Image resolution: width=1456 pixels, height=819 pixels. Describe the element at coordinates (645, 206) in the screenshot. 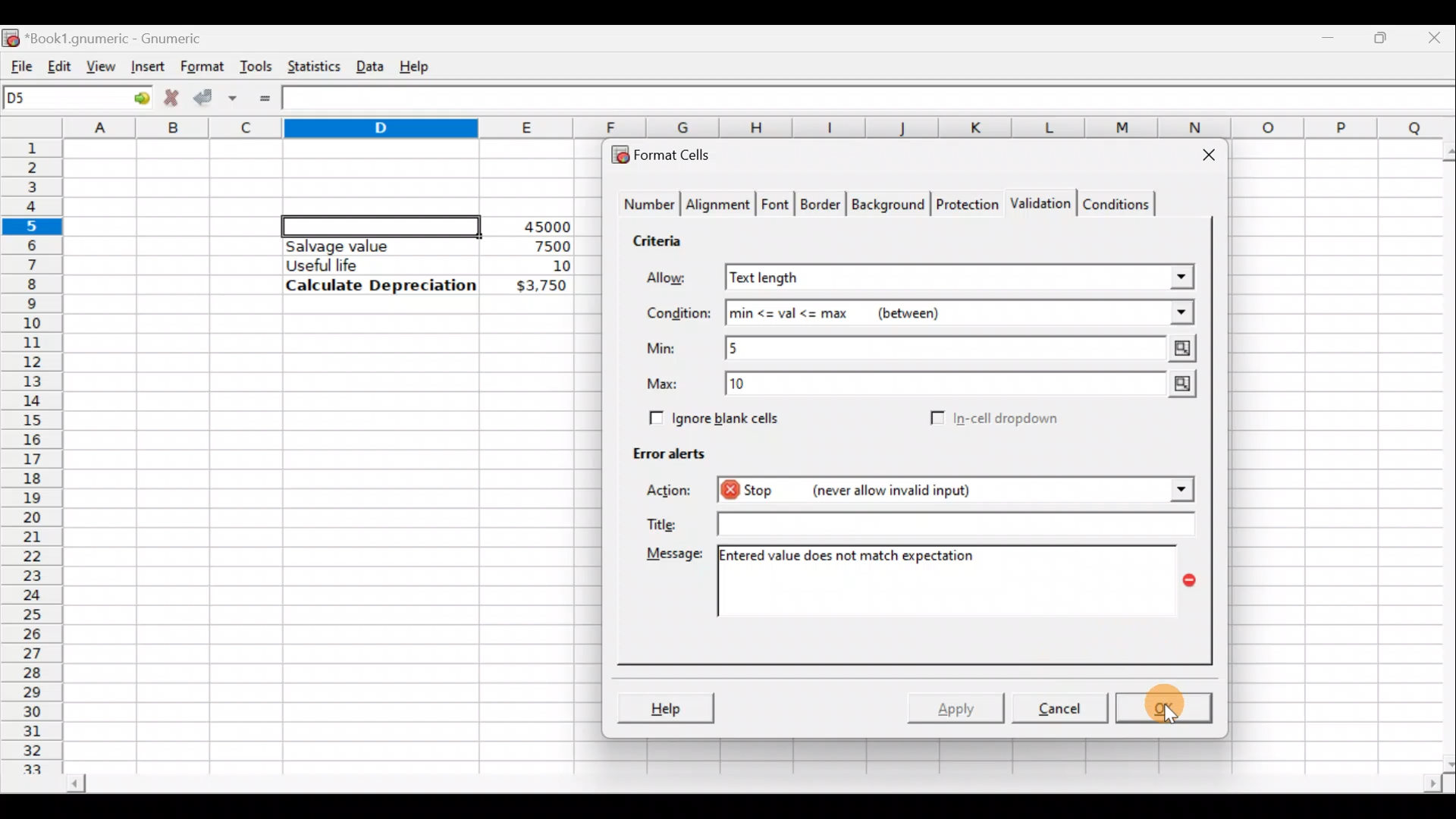

I see `Number` at that location.